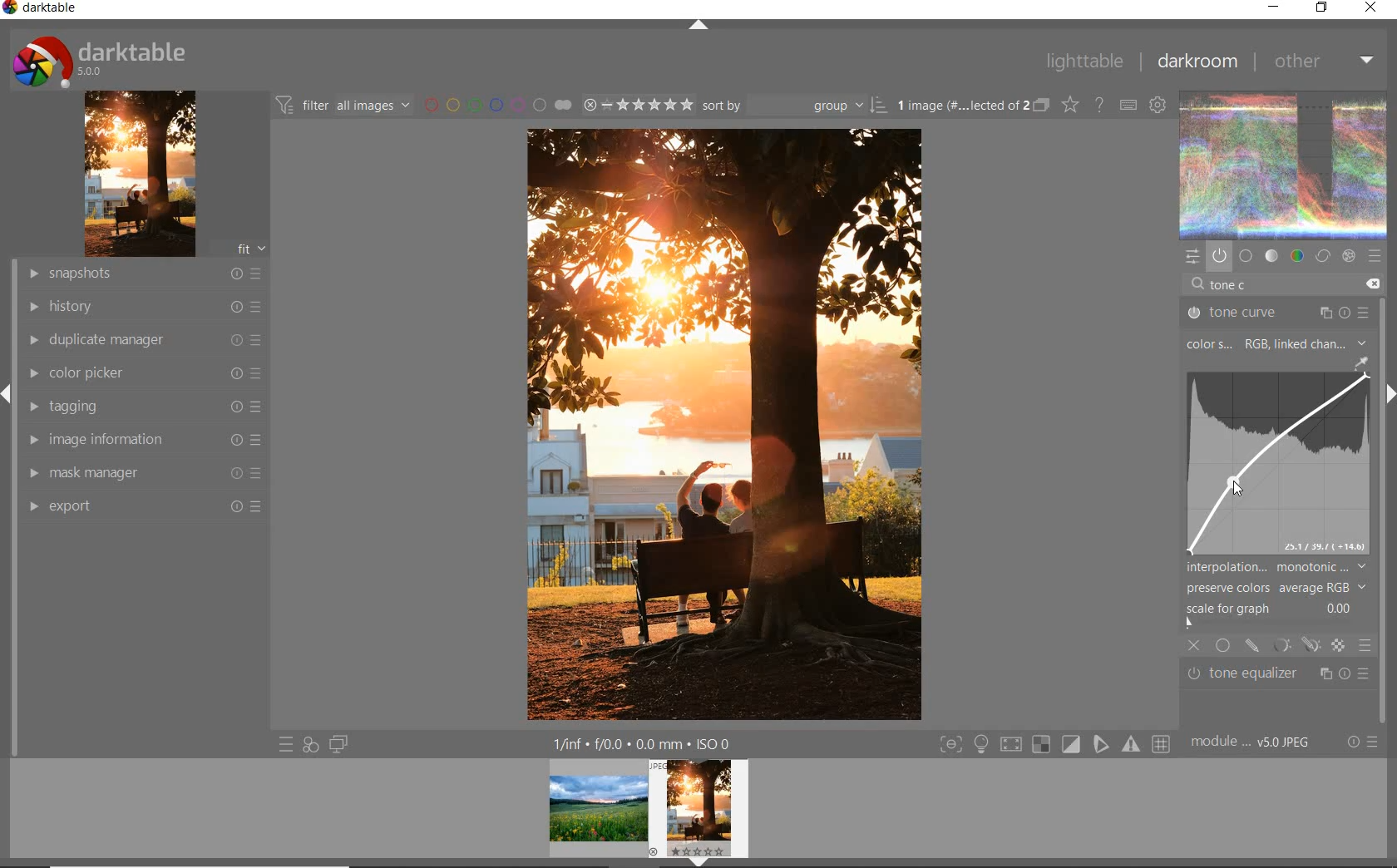 This screenshot has height=868, width=1397. I want to click on toggle modes, so click(1054, 746).